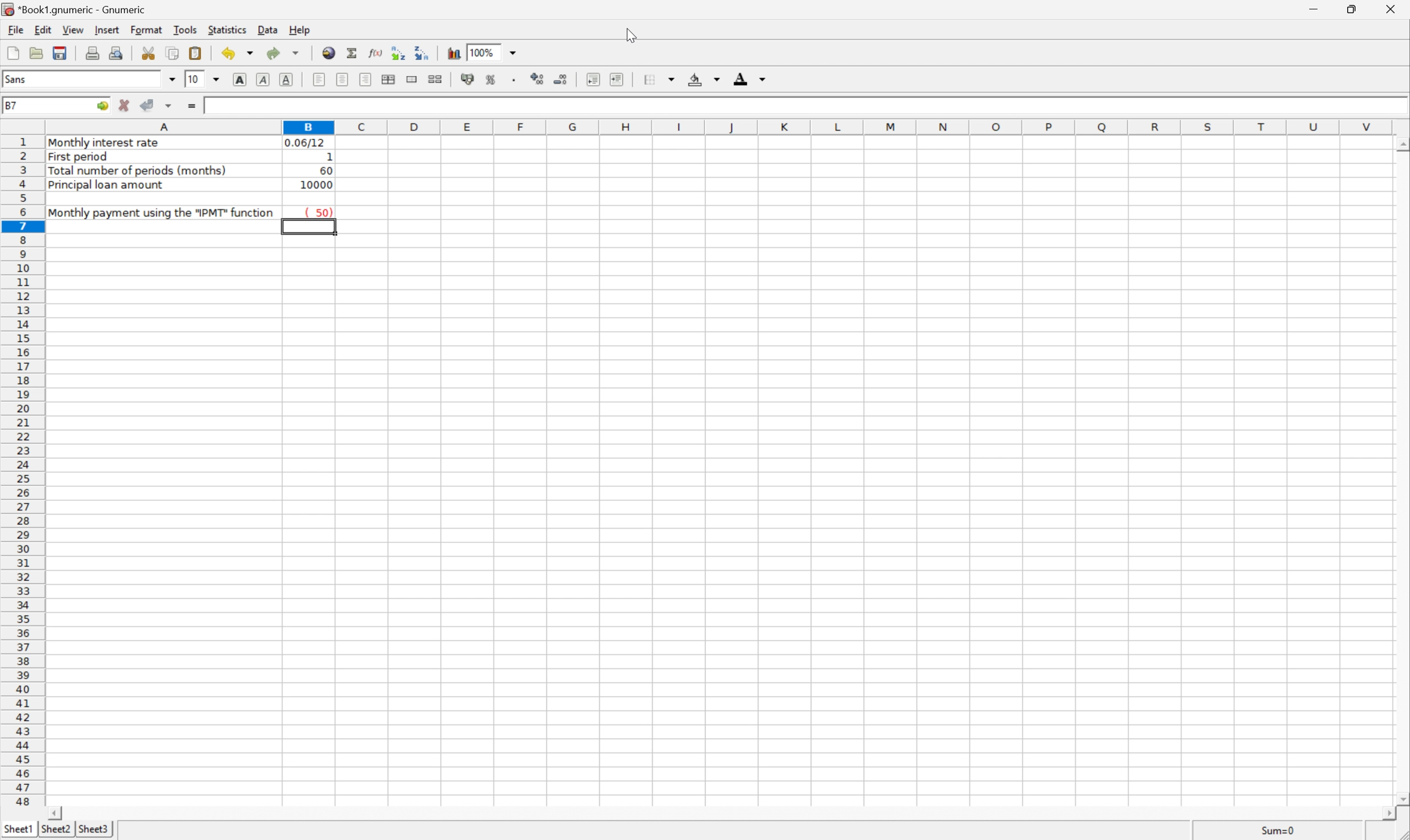 This screenshot has height=840, width=1410. What do you see at coordinates (117, 52) in the screenshot?
I see `Print preview` at bounding box center [117, 52].